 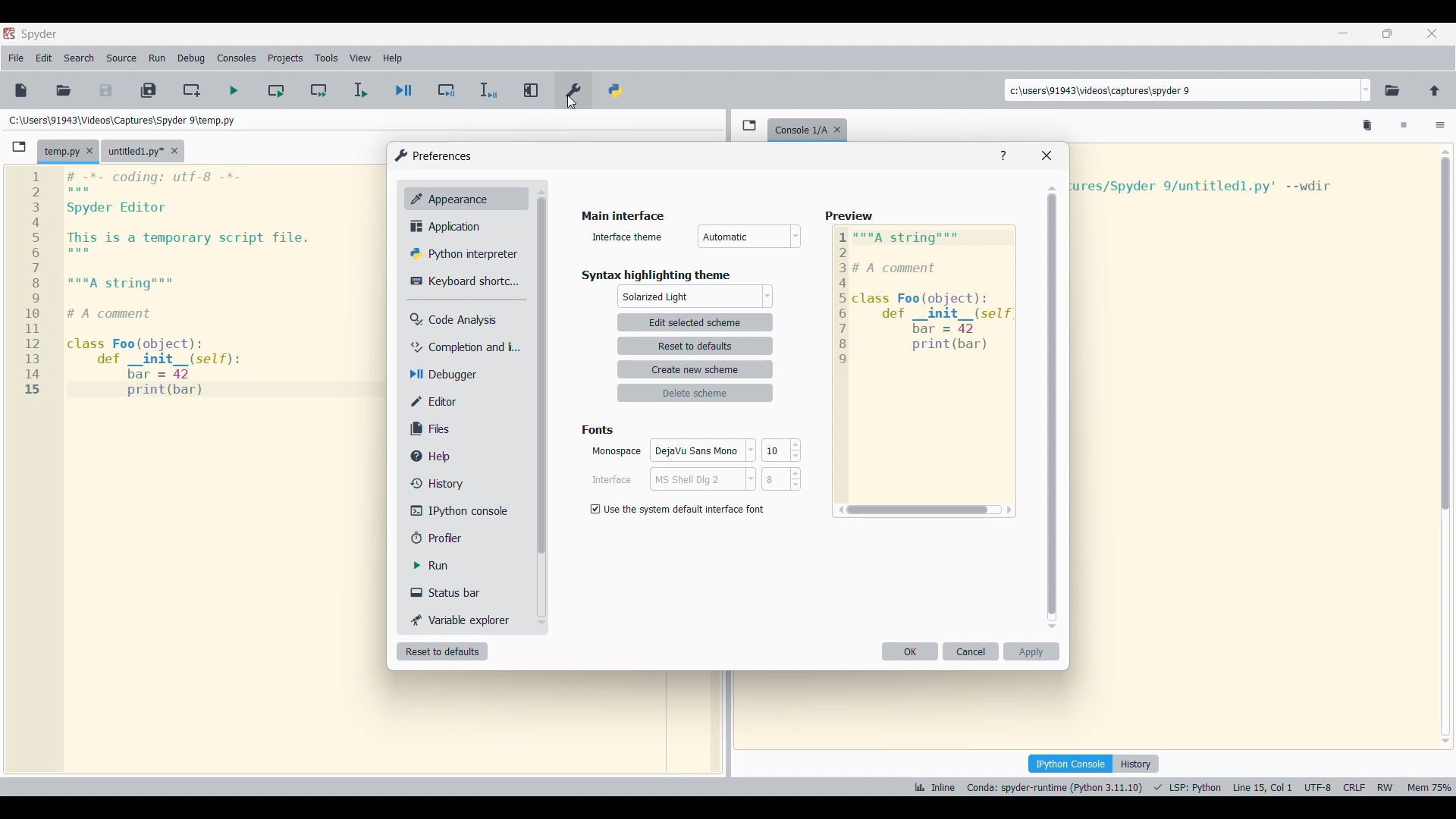 I want to click on Software name, so click(x=39, y=34).